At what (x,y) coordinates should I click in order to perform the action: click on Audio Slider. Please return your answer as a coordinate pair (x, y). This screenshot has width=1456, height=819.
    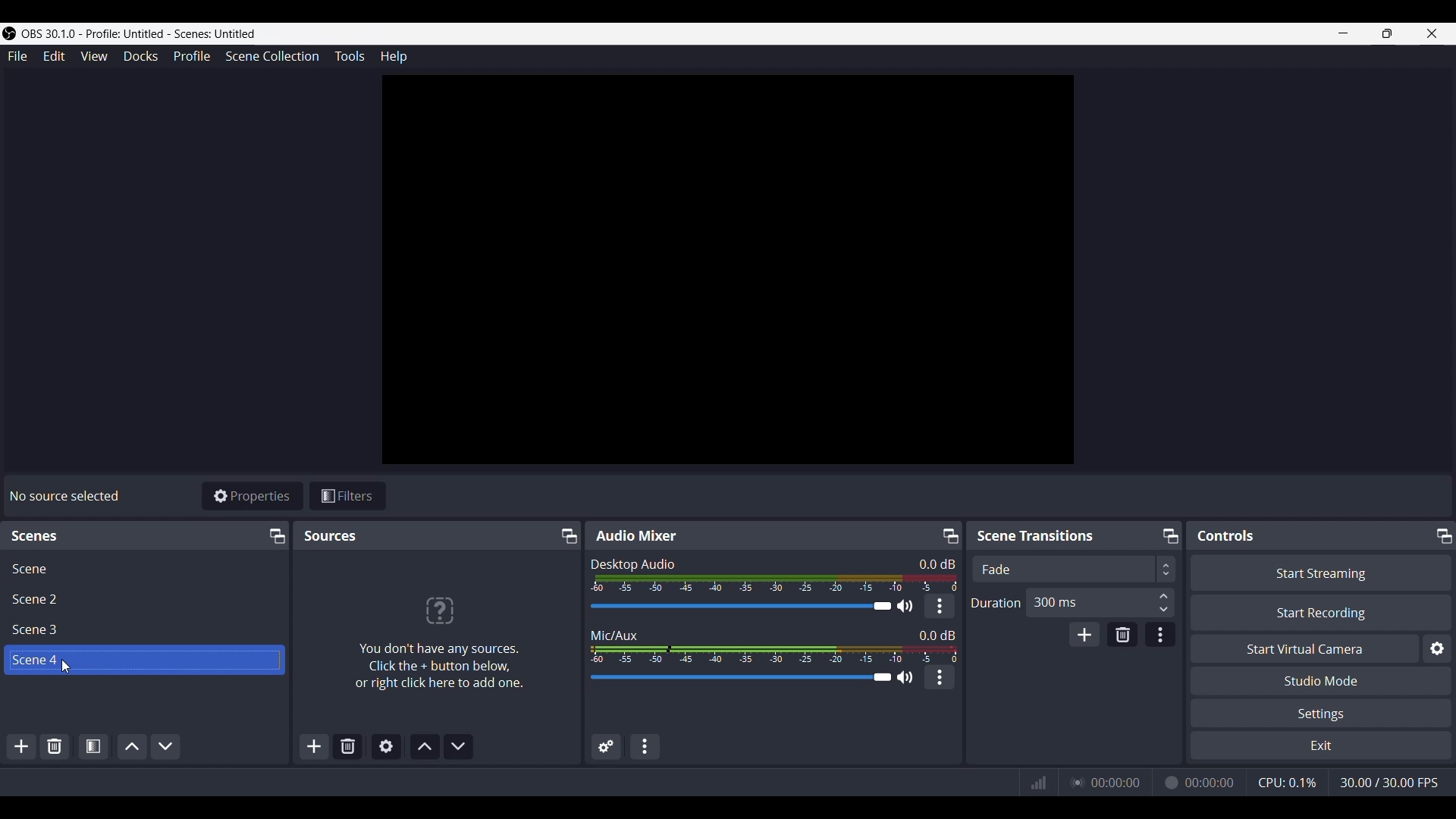
    Looking at the image, I should click on (739, 678).